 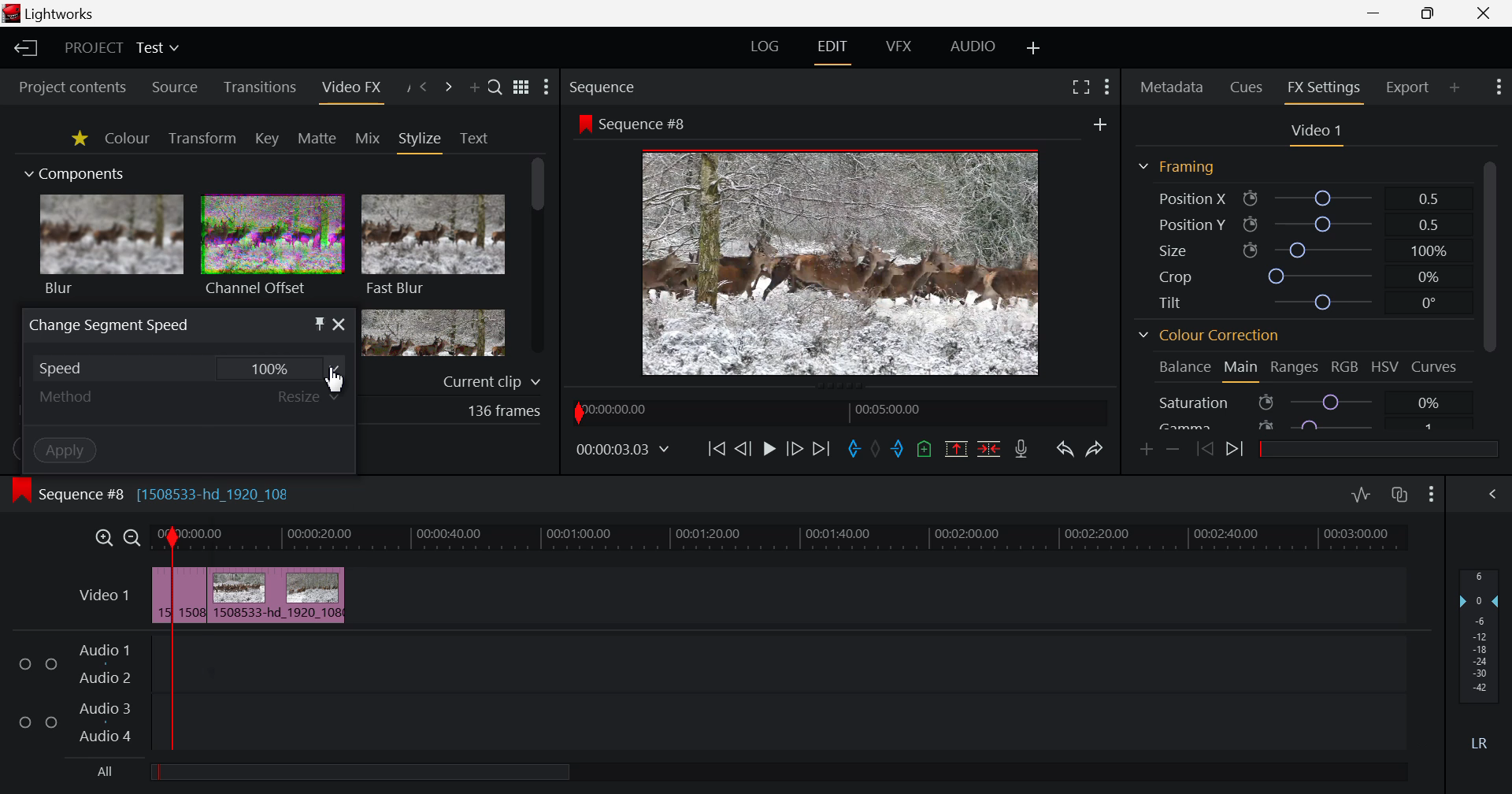 What do you see at coordinates (266, 139) in the screenshot?
I see `Key` at bounding box center [266, 139].